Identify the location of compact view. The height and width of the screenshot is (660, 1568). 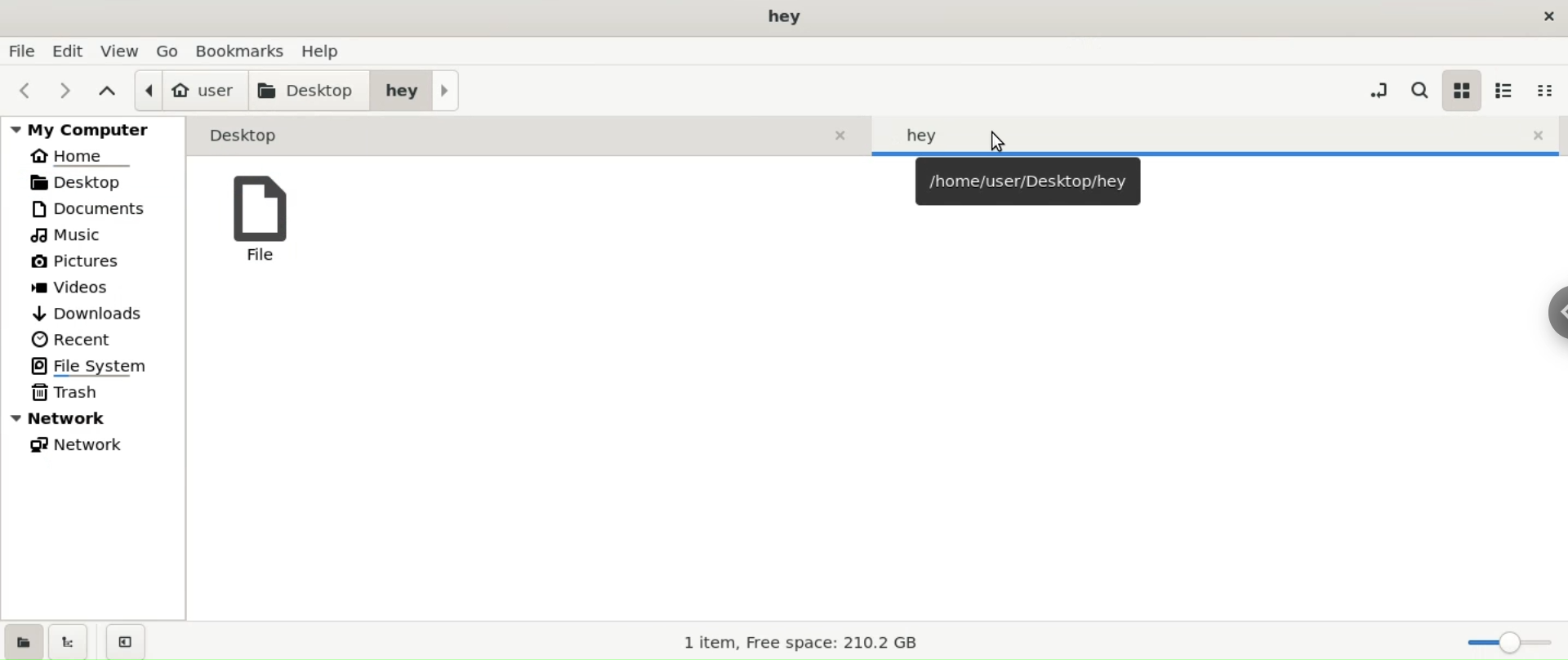
(1546, 91).